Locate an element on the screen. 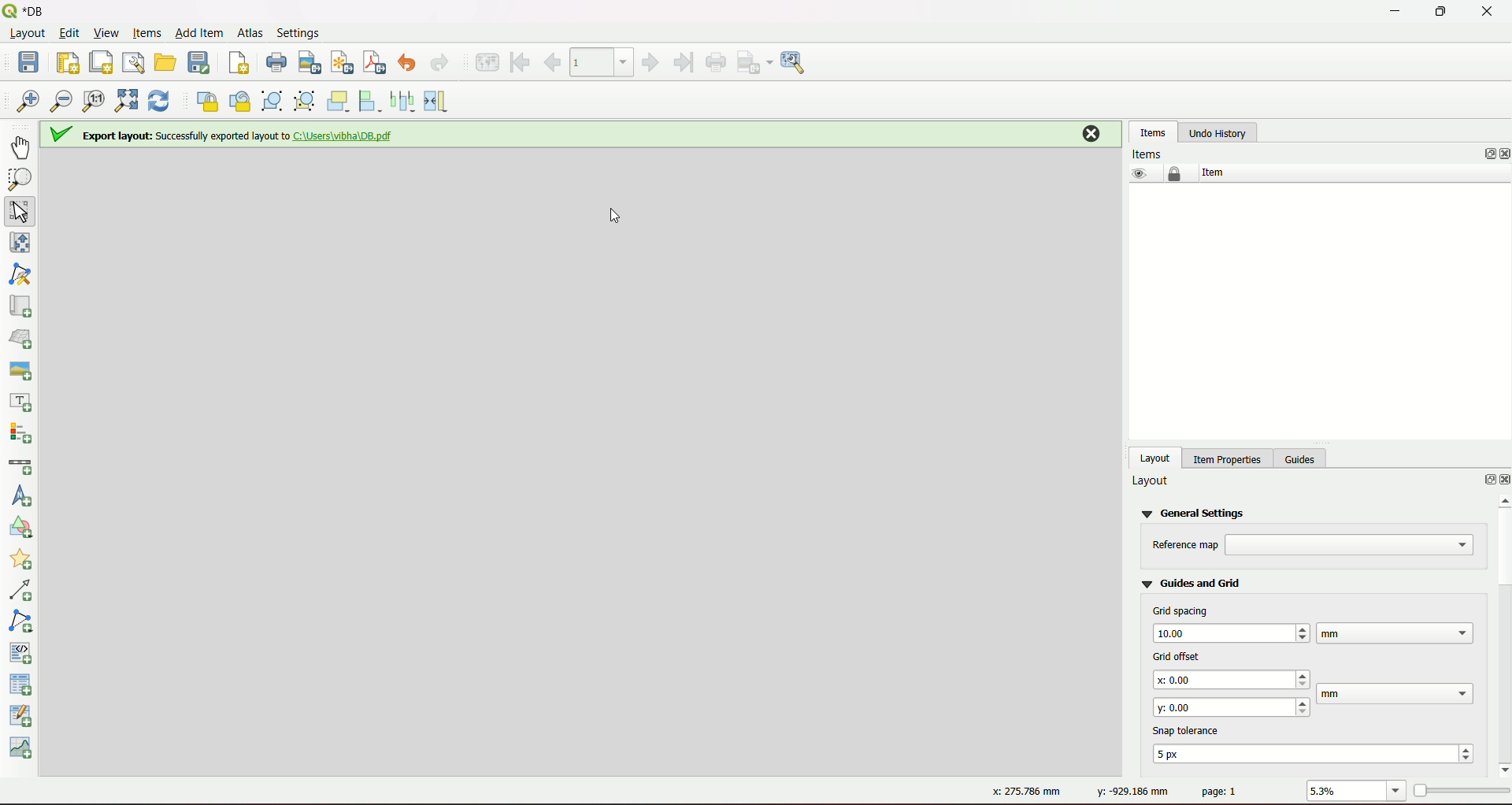 The width and height of the screenshot is (1512, 805). Atlas is located at coordinates (249, 32).